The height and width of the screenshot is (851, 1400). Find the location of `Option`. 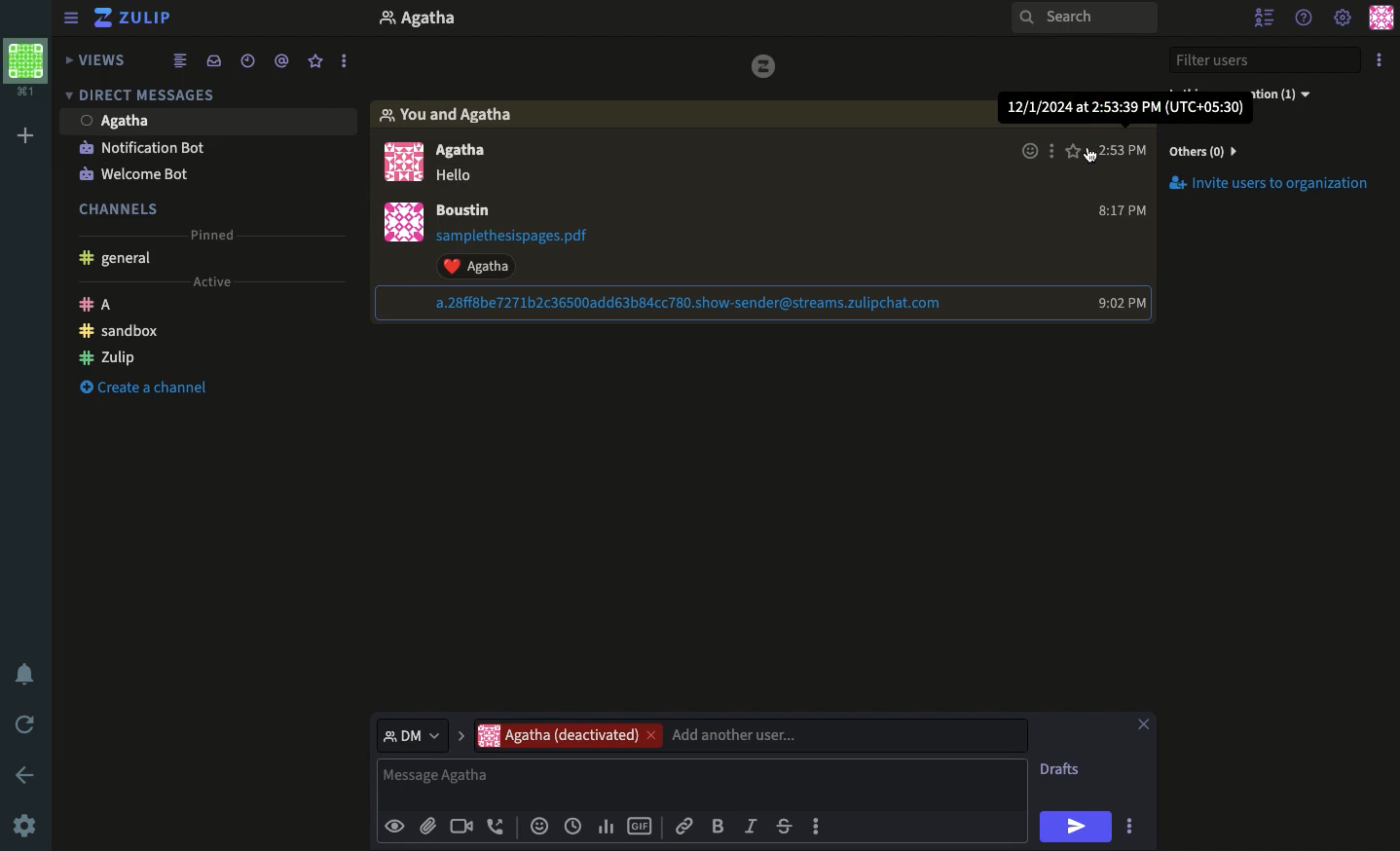

Option is located at coordinates (1380, 59).